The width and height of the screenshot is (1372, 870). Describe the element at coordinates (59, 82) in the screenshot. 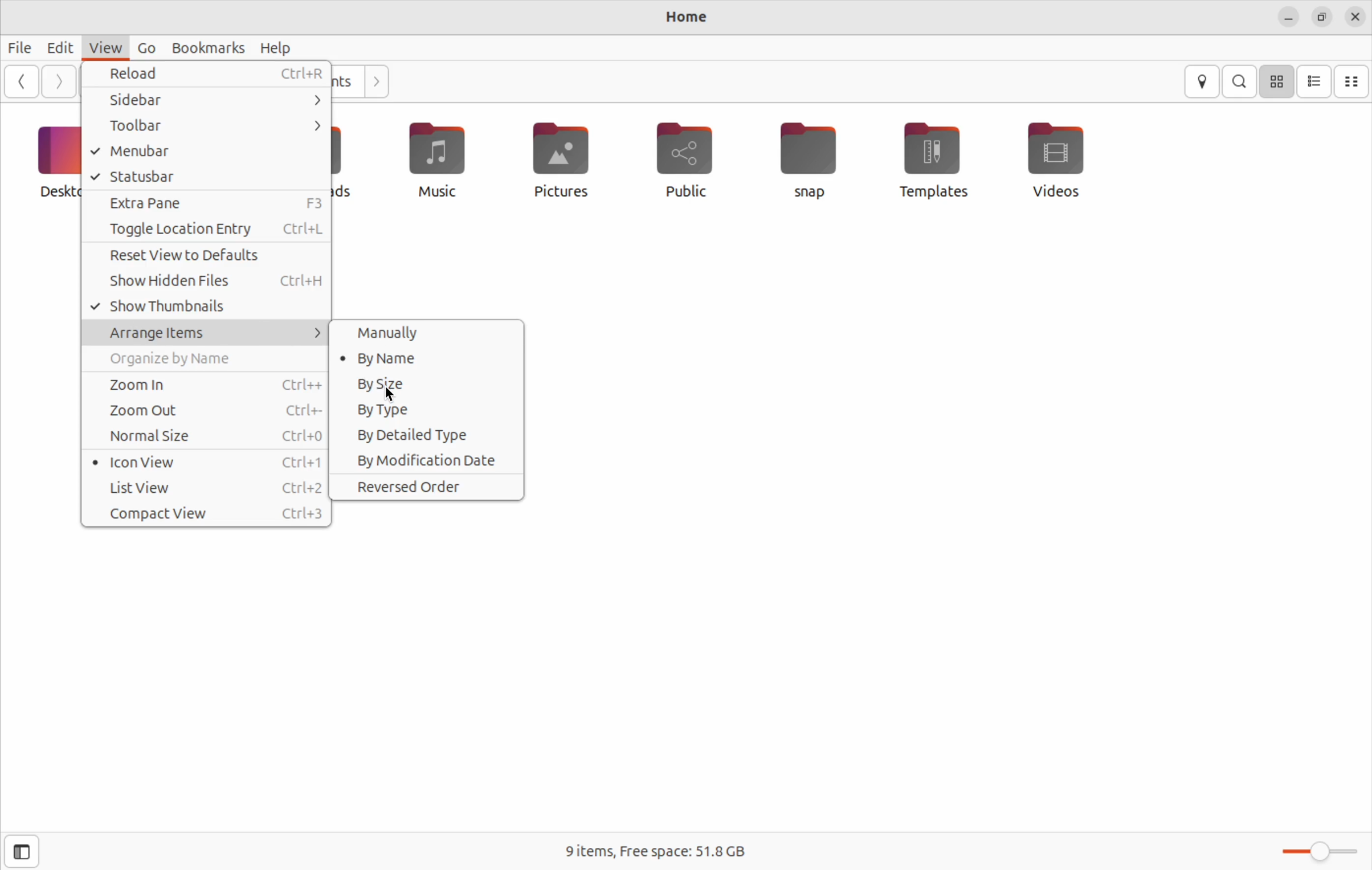

I see `Go next` at that location.